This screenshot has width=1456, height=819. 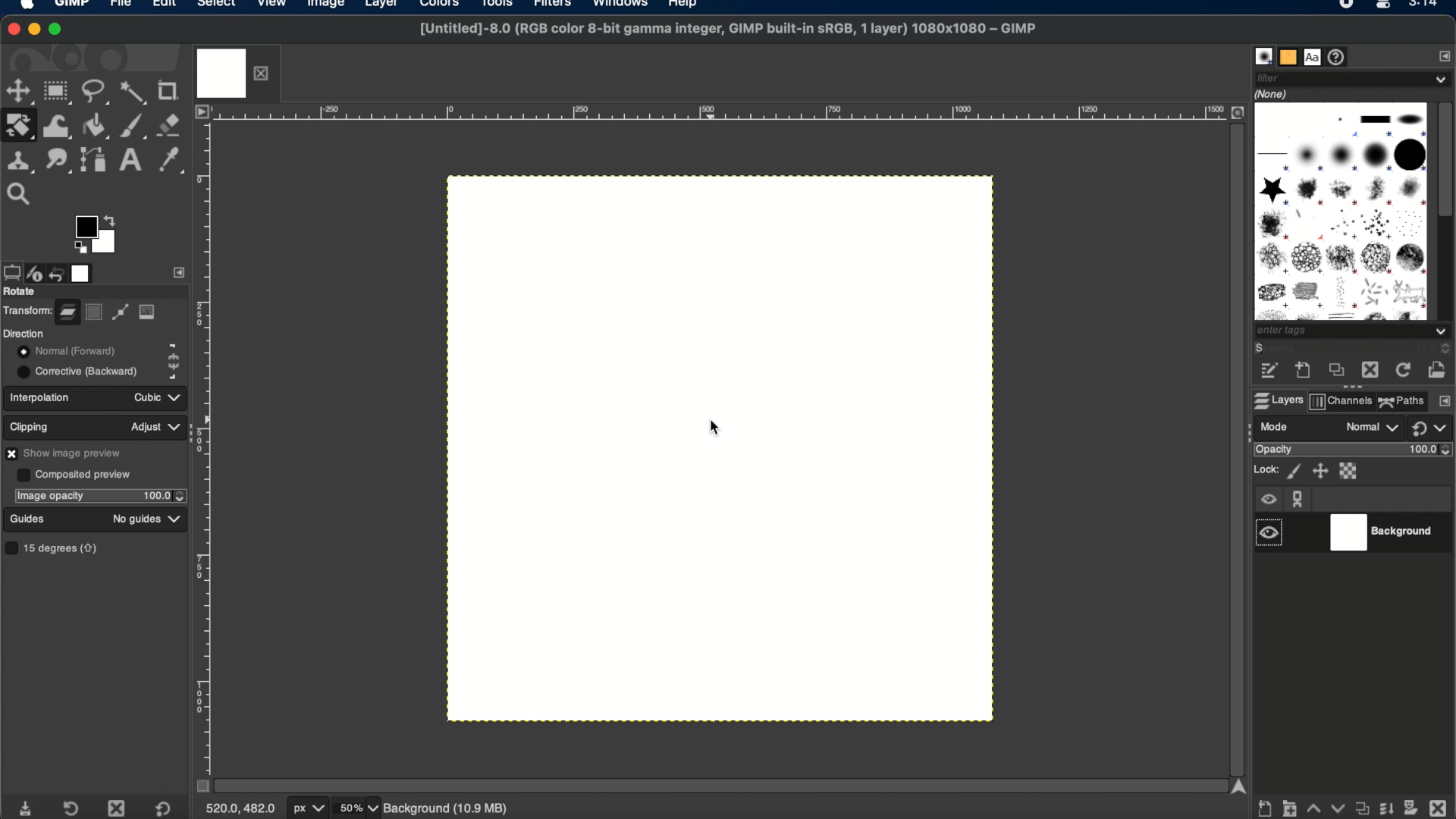 What do you see at coordinates (80, 248) in the screenshot?
I see `preview` at bounding box center [80, 248].